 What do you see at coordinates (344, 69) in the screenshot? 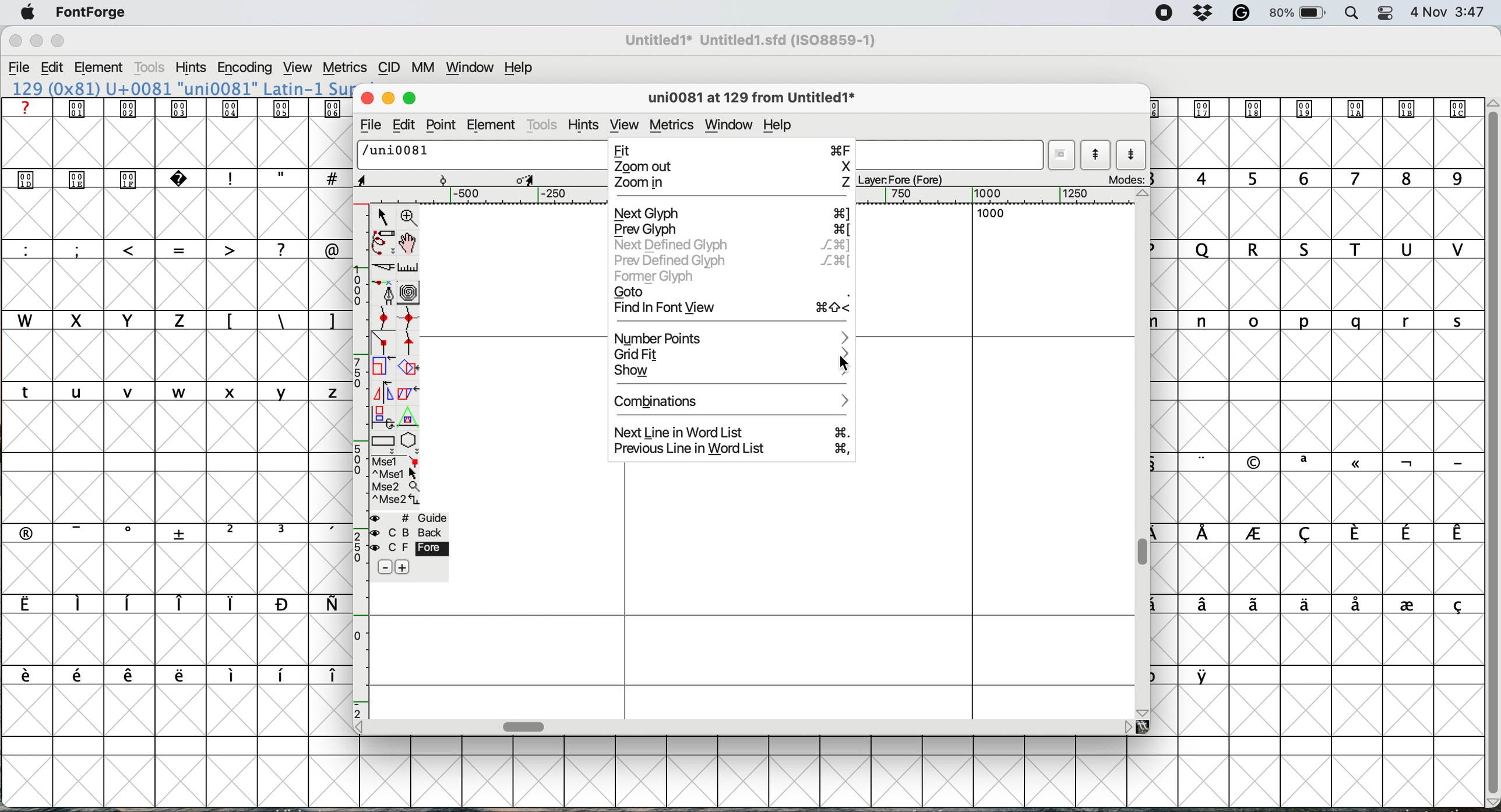
I see `Metrics` at bounding box center [344, 69].